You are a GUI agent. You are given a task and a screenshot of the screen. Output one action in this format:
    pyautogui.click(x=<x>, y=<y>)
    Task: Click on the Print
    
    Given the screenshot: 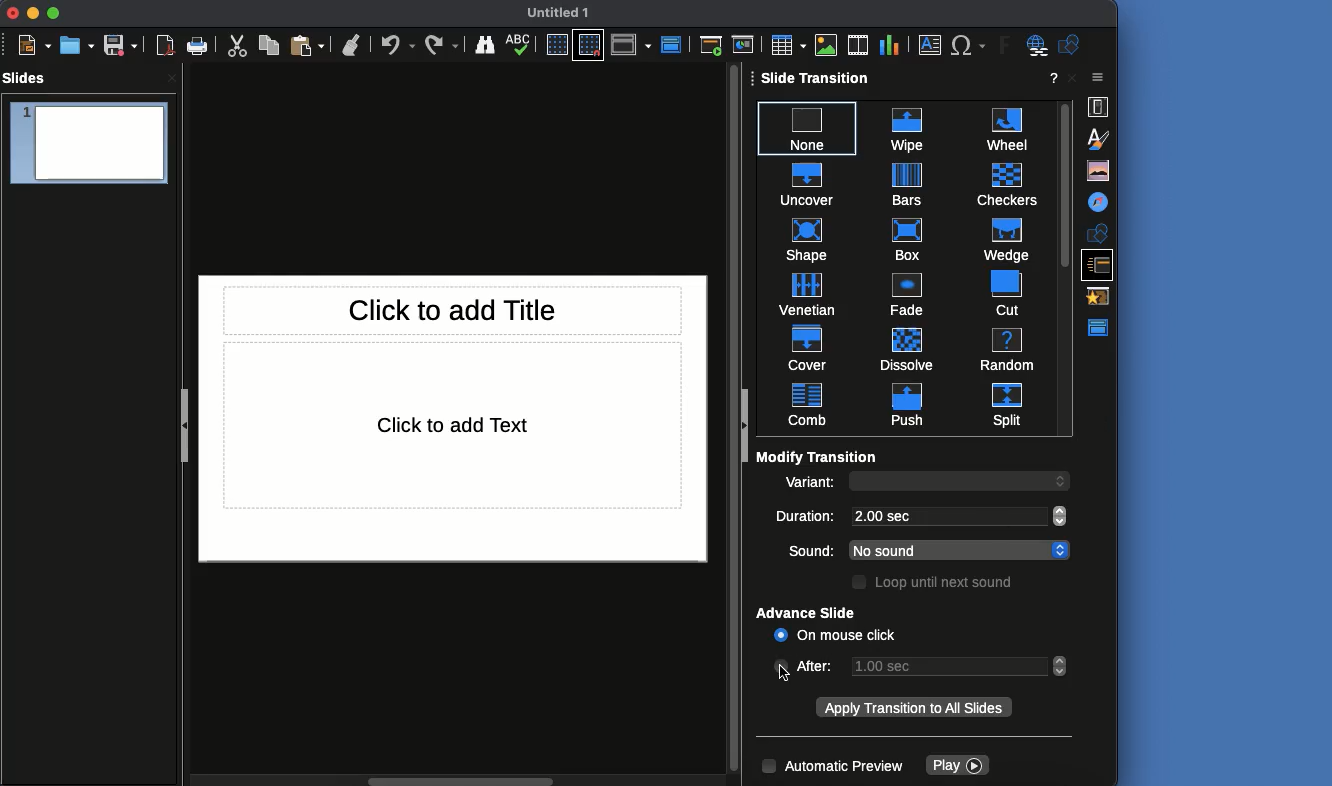 What is the action you would take?
    pyautogui.click(x=197, y=46)
    